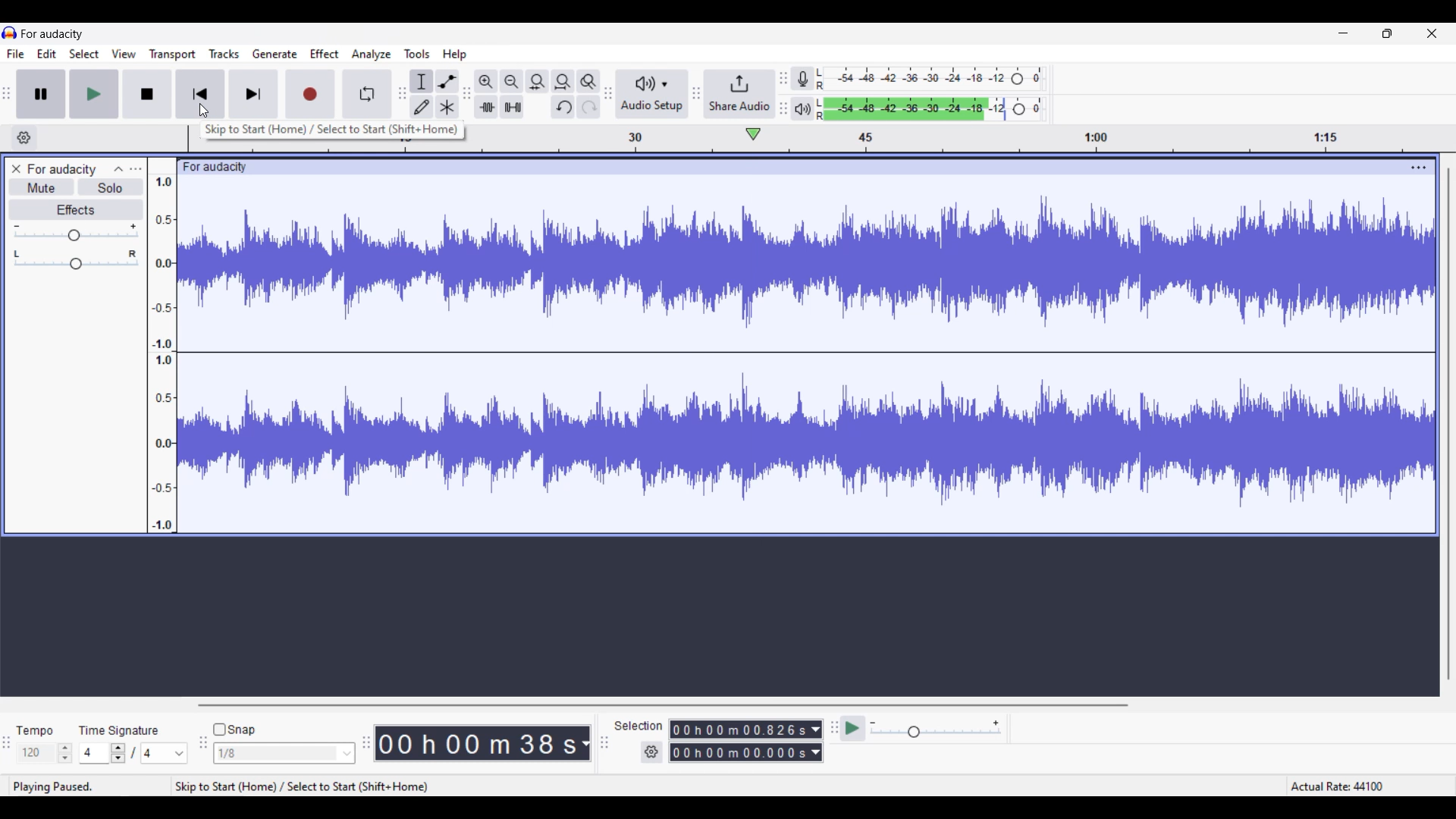  What do you see at coordinates (163, 353) in the screenshot?
I see `Scale to measure sound intensity` at bounding box center [163, 353].